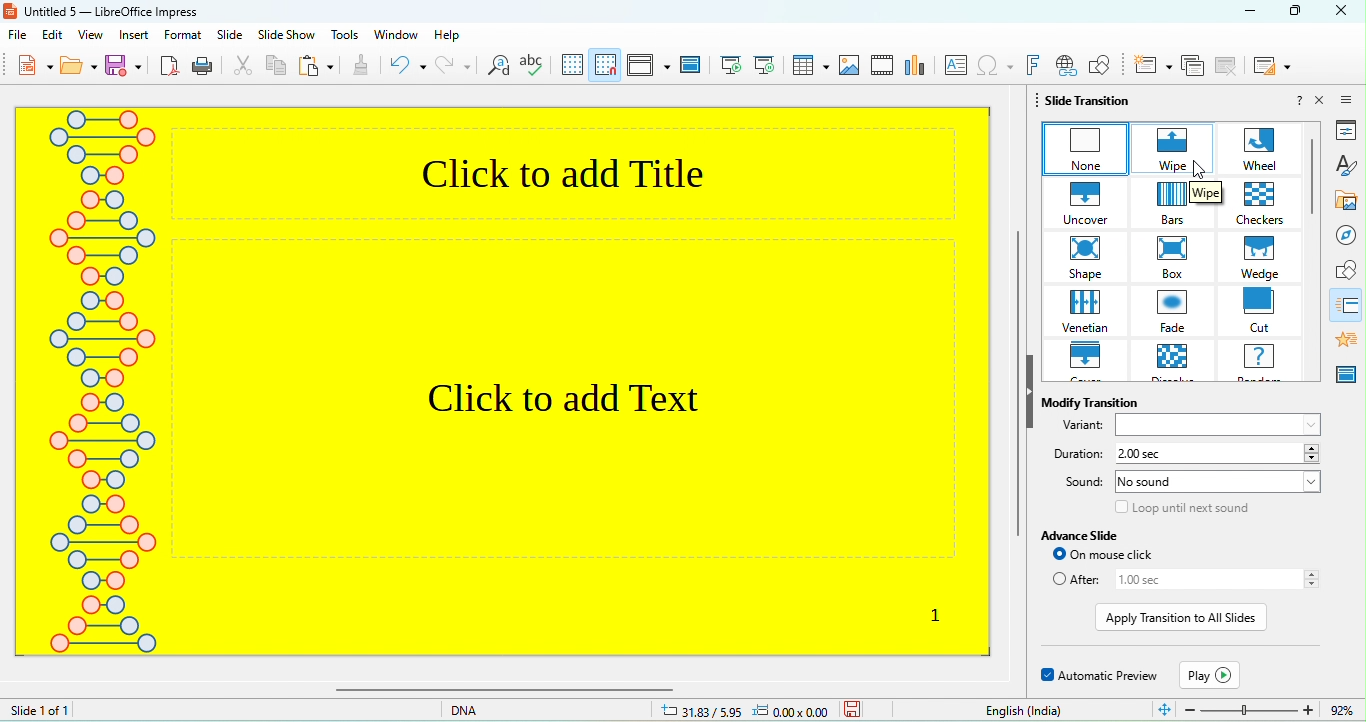 This screenshot has height=722, width=1366. Describe the element at coordinates (1193, 67) in the screenshot. I see `duplicate slide ` at that location.